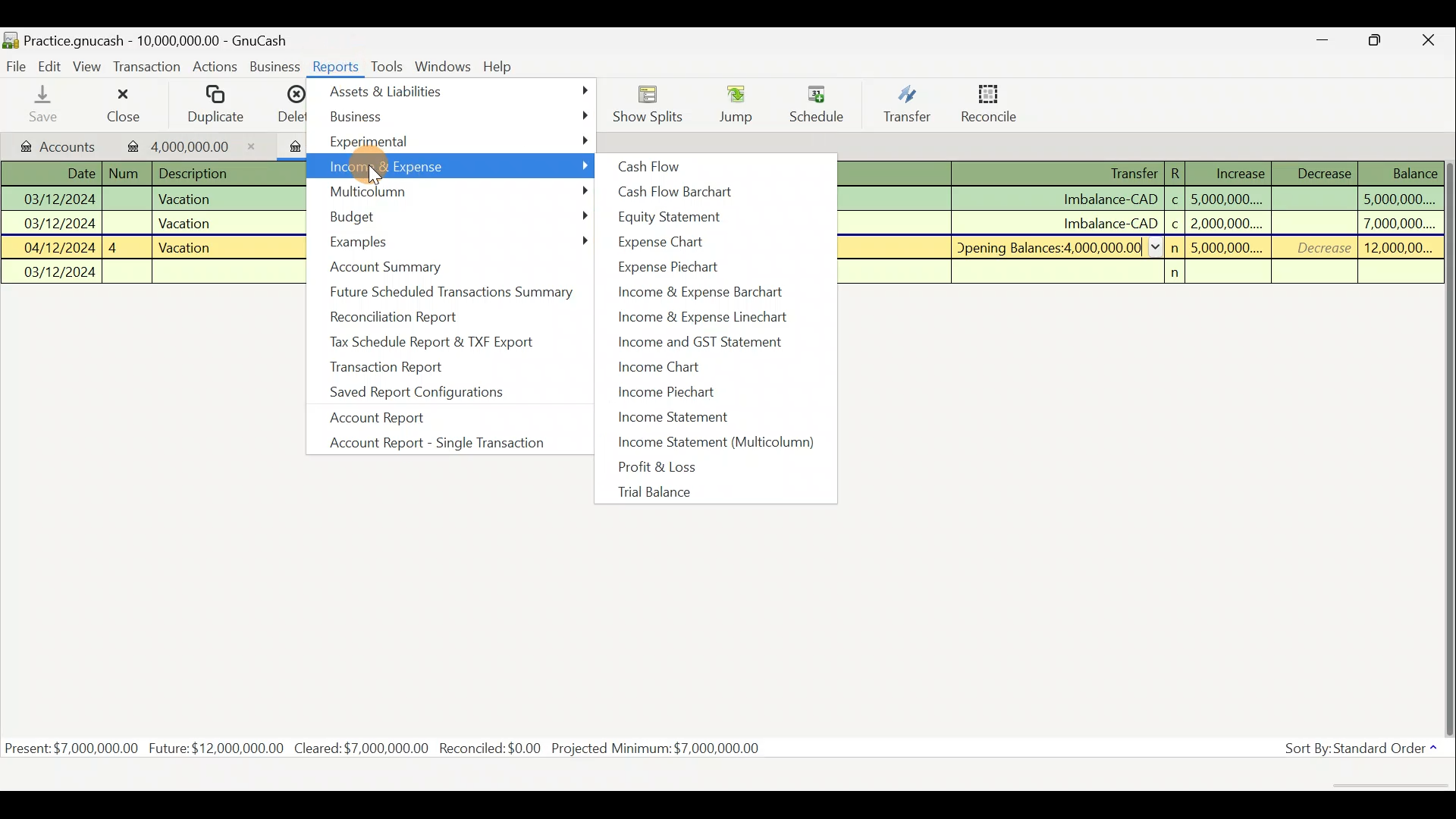 This screenshot has width=1456, height=819. What do you see at coordinates (736, 101) in the screenshot?
I see `Jump` at bounding box center [736, 101].